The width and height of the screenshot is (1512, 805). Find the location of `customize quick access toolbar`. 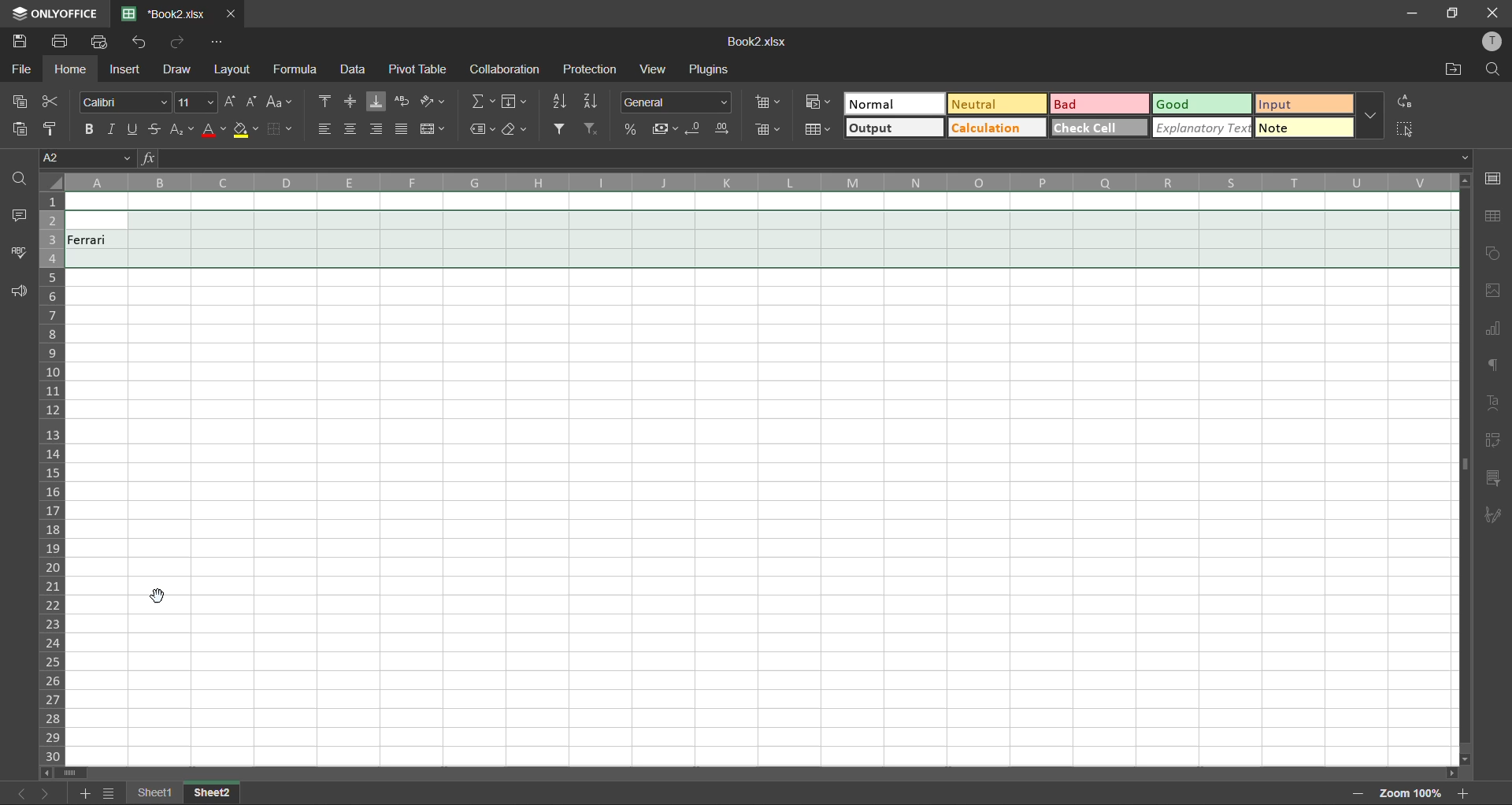

customize quick access toolbar is located at coordinates (217, 42).